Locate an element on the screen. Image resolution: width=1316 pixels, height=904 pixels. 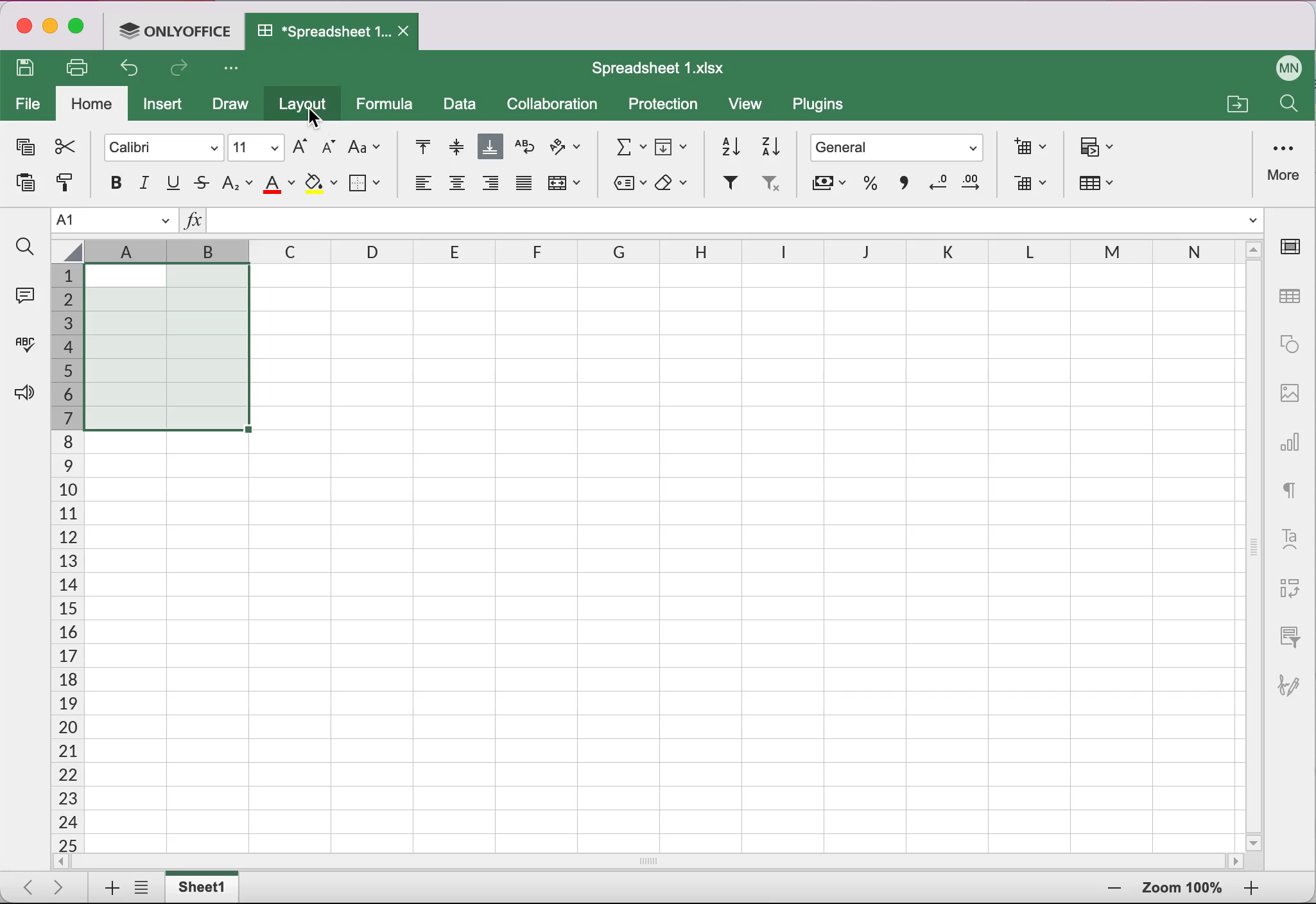
Format type general is located at coordinates (900, 150).